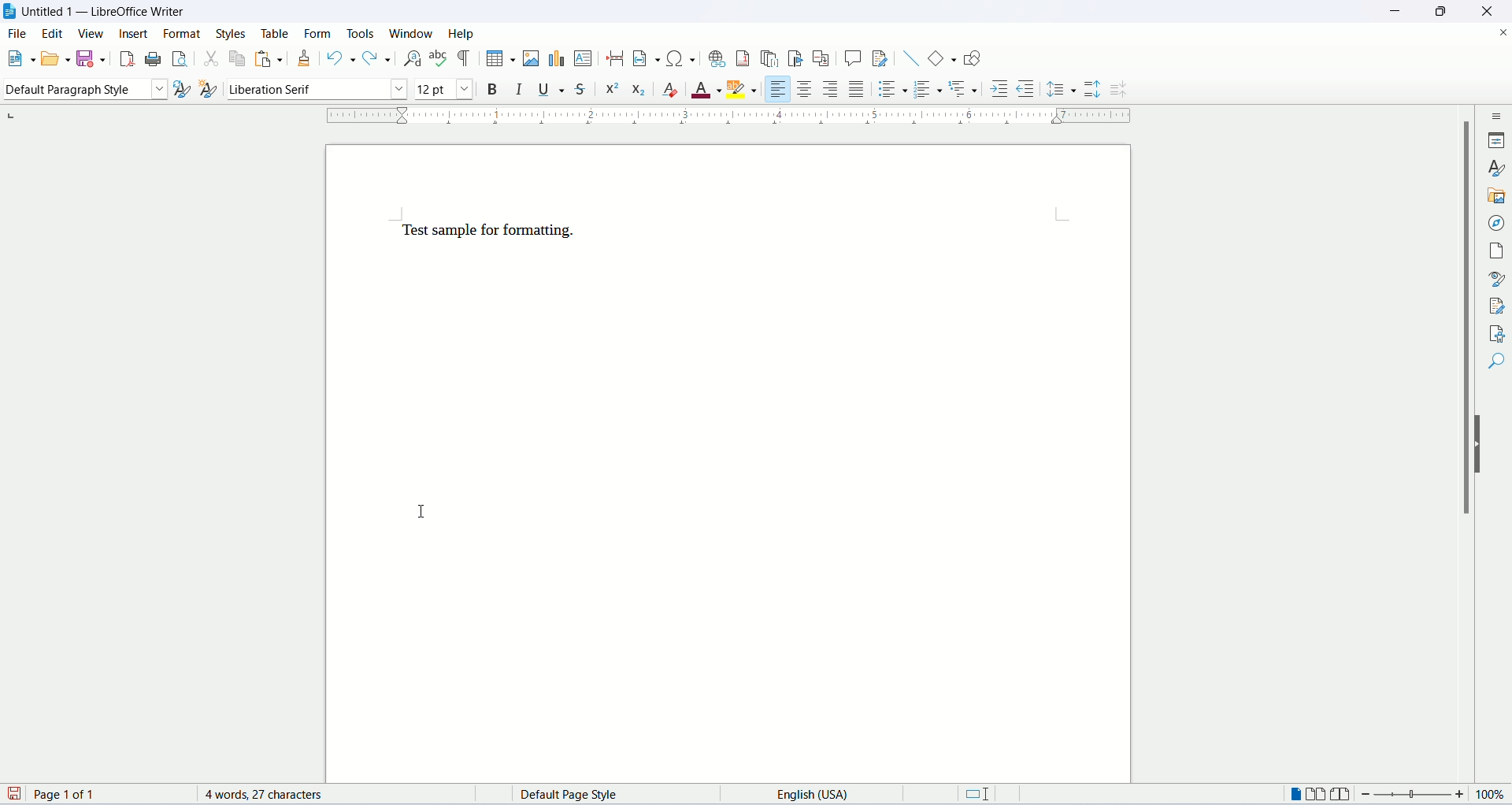 The height and width of the screenshot is (805, 1512). Describe the element at coordinates (54, 59) in the screenshot. I see `open` at that location.